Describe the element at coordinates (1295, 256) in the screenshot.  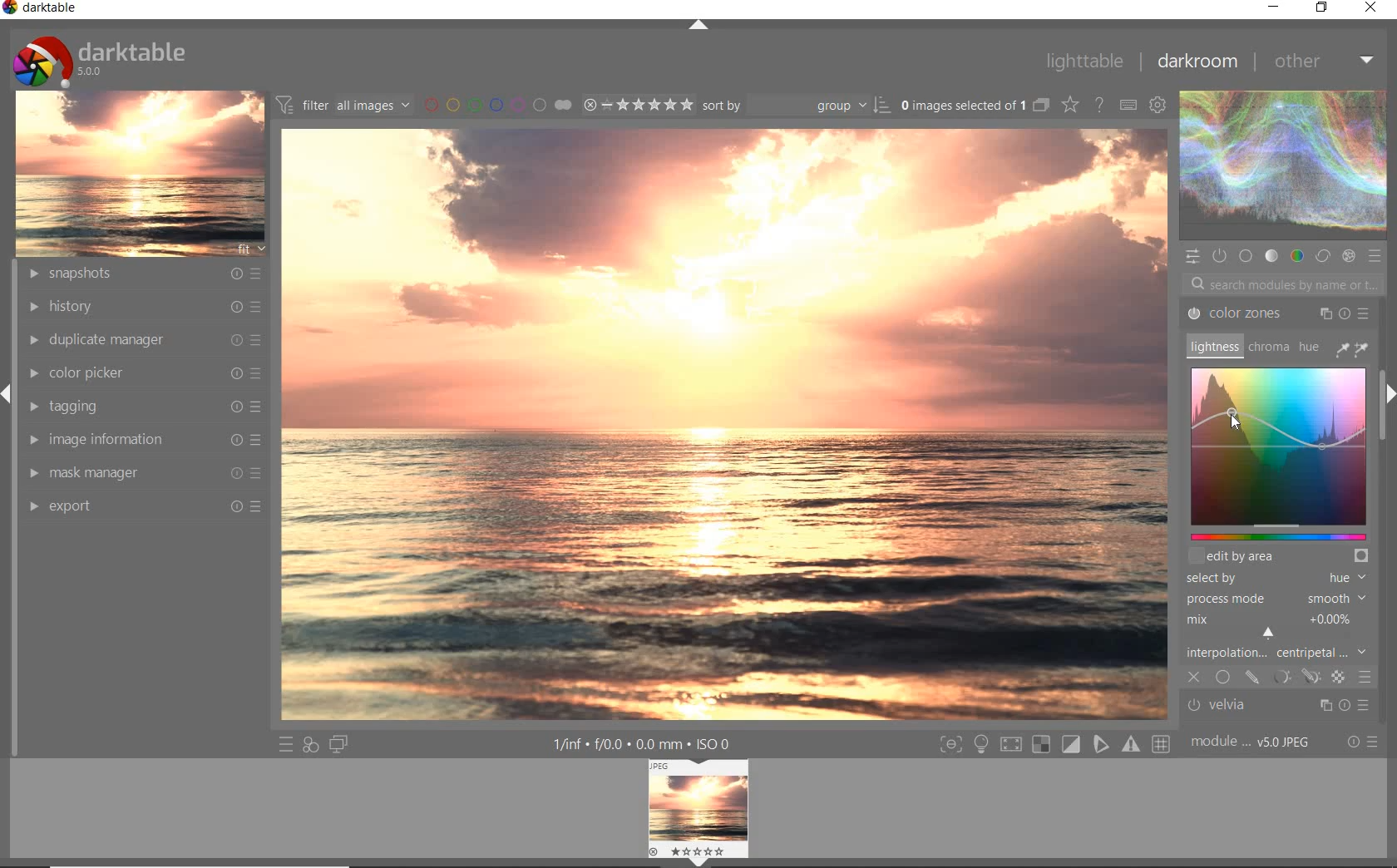
I see `COLOR` at that location.